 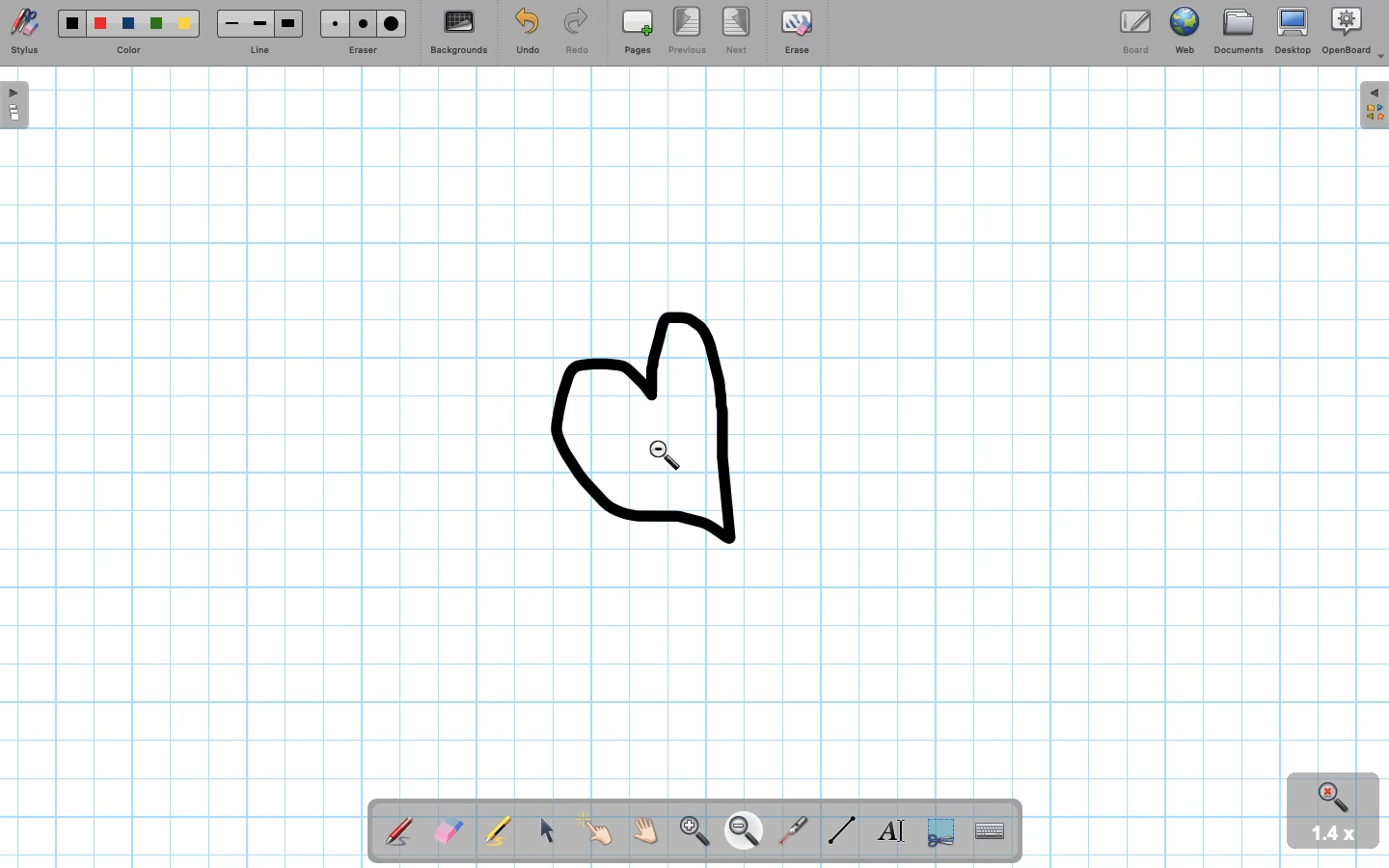 I want to click on TextInput, so click(x=989, y=829).